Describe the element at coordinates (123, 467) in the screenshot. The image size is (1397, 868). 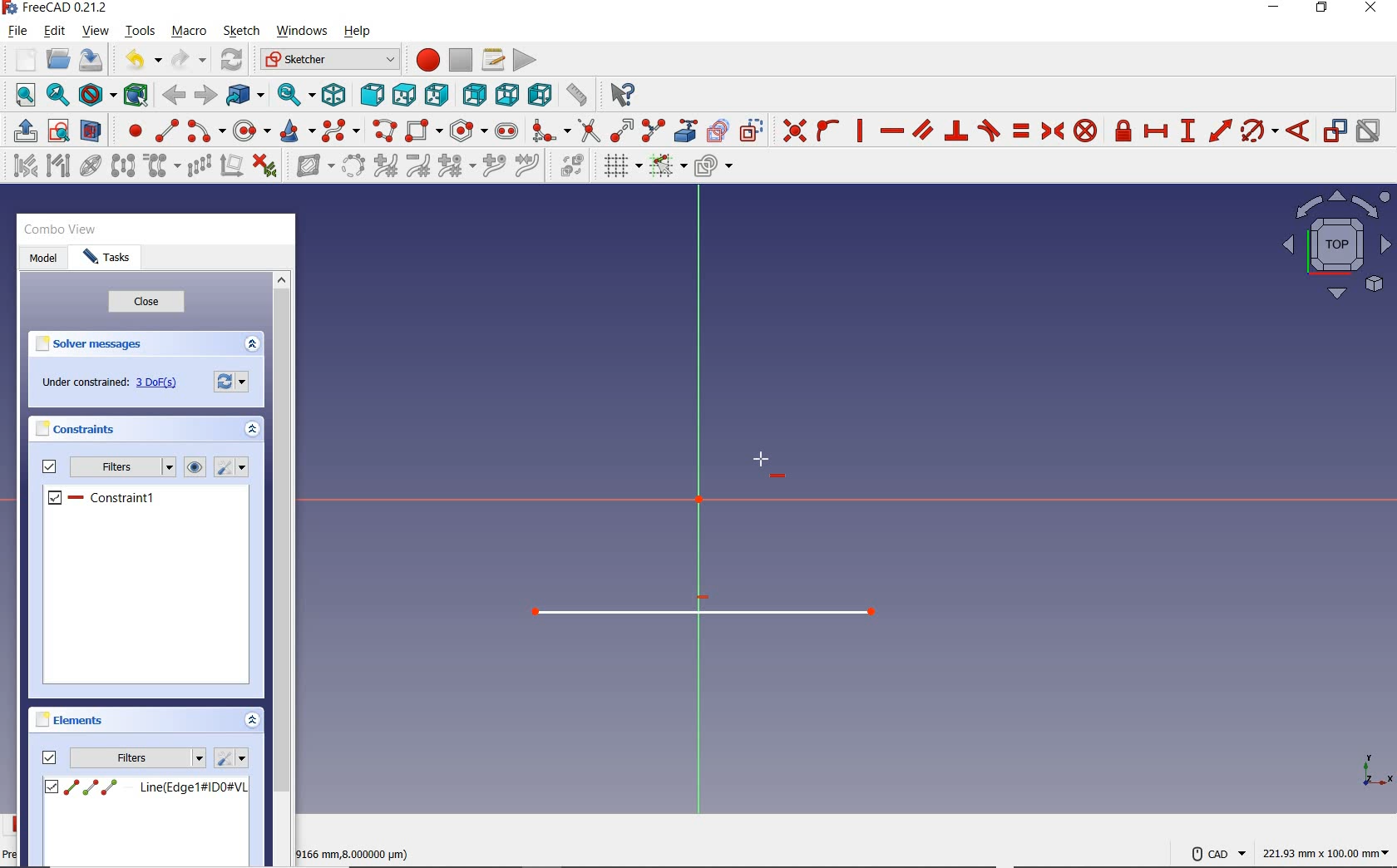
I see `FILTERS` at that location.